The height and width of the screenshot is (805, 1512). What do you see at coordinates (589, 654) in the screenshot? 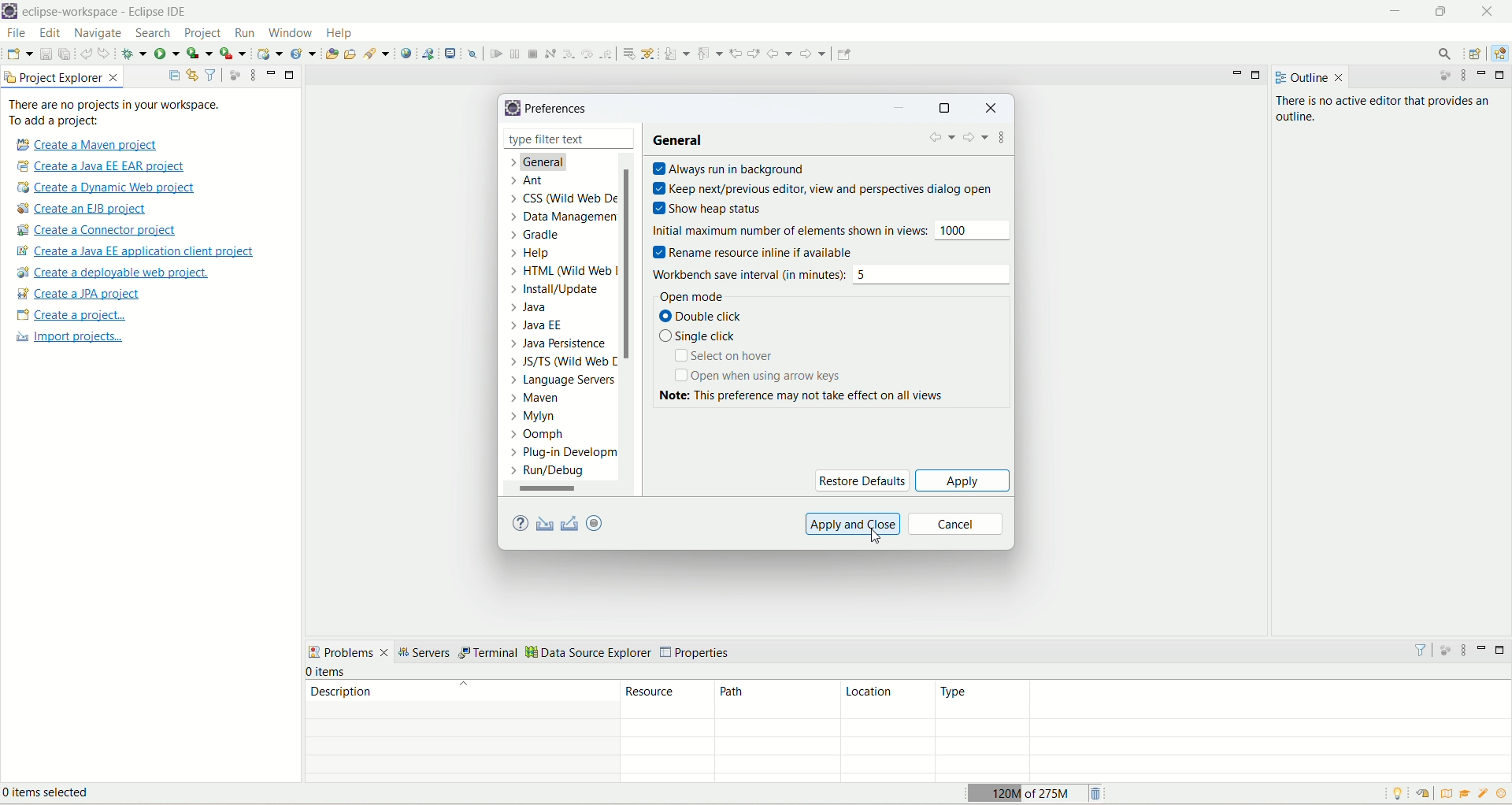
I see `data source explorer` at bounding box center [589, 654].